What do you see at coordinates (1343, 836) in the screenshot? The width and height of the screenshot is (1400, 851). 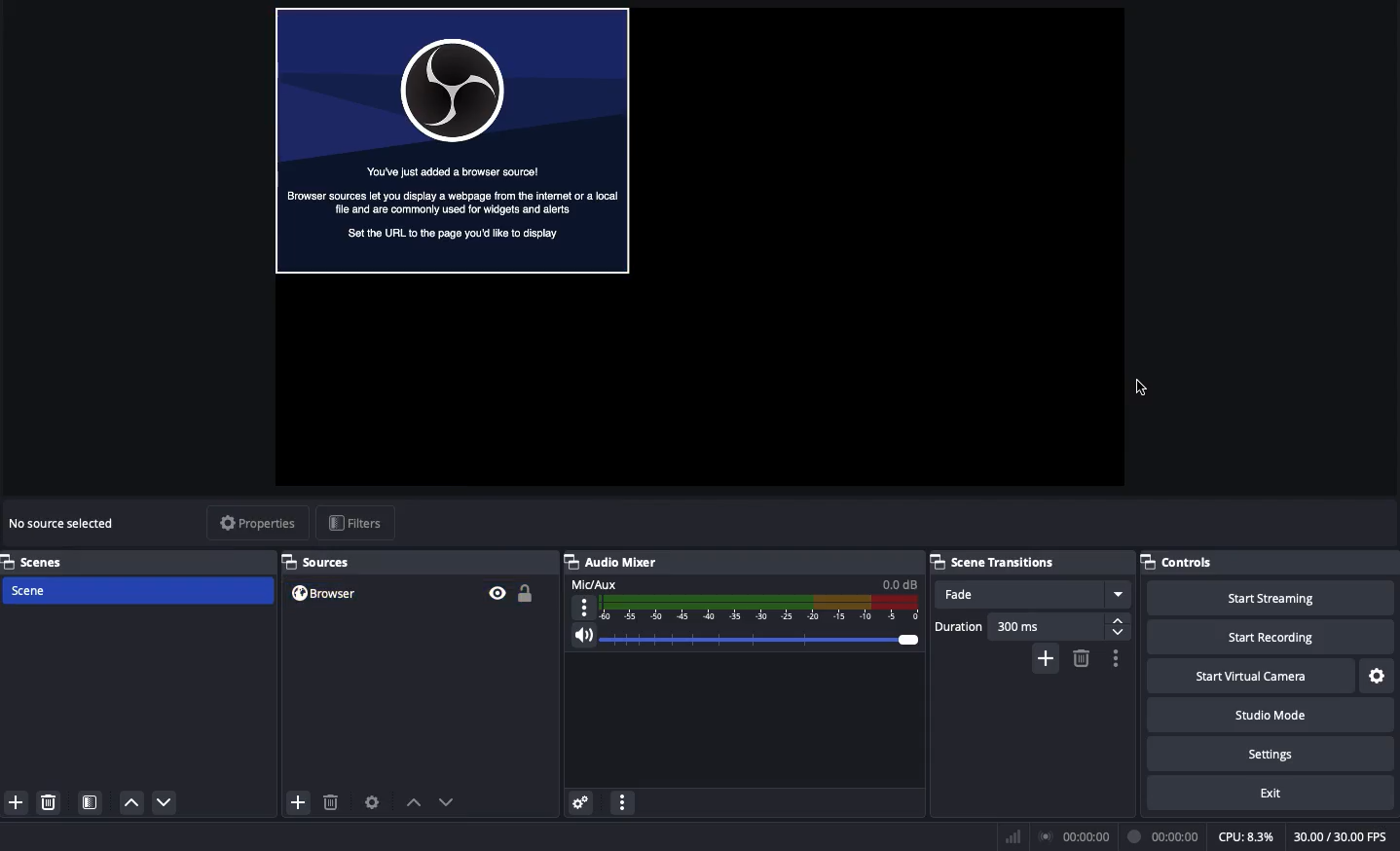 I see `FPS` at bounding box center [1343, 836].